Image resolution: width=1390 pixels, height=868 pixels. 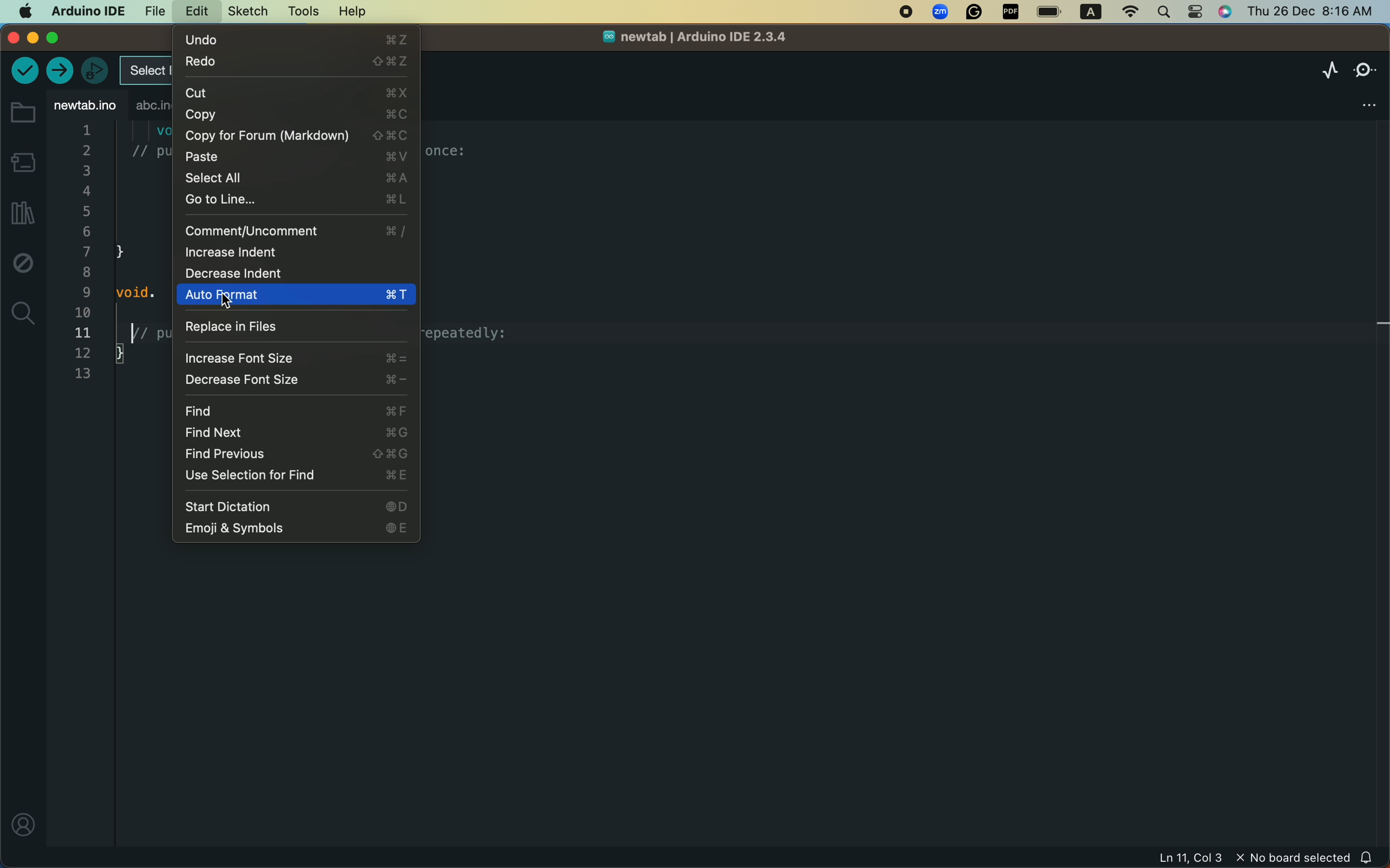 What do you see at coordinates (295, 432) in the screenshot?
I see `find next` at bounding box center [295, 432].